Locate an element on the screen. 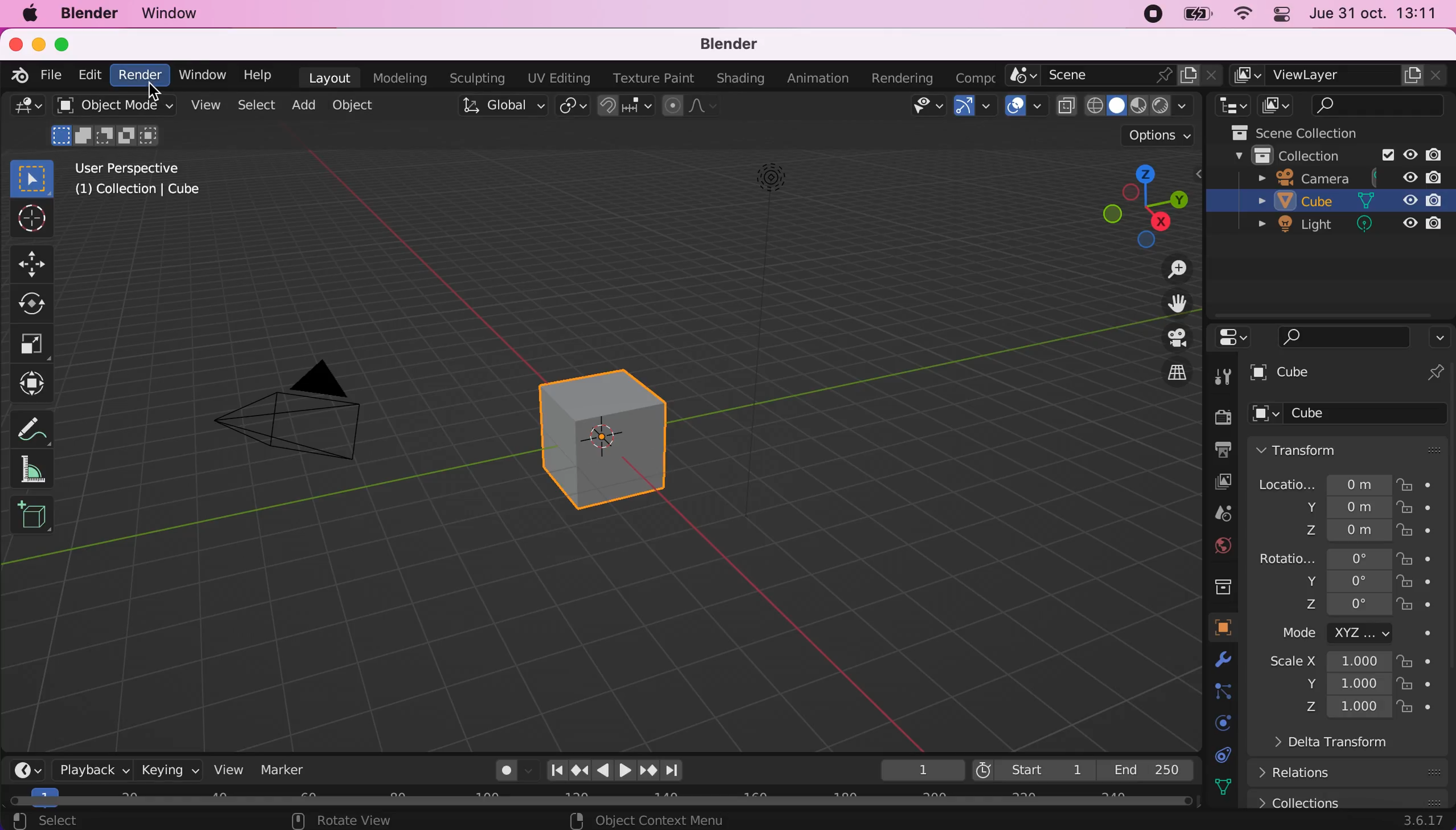 Image resolution: width=1456 pixels, height=830 pixels. close is located at coordinates (14, 44).